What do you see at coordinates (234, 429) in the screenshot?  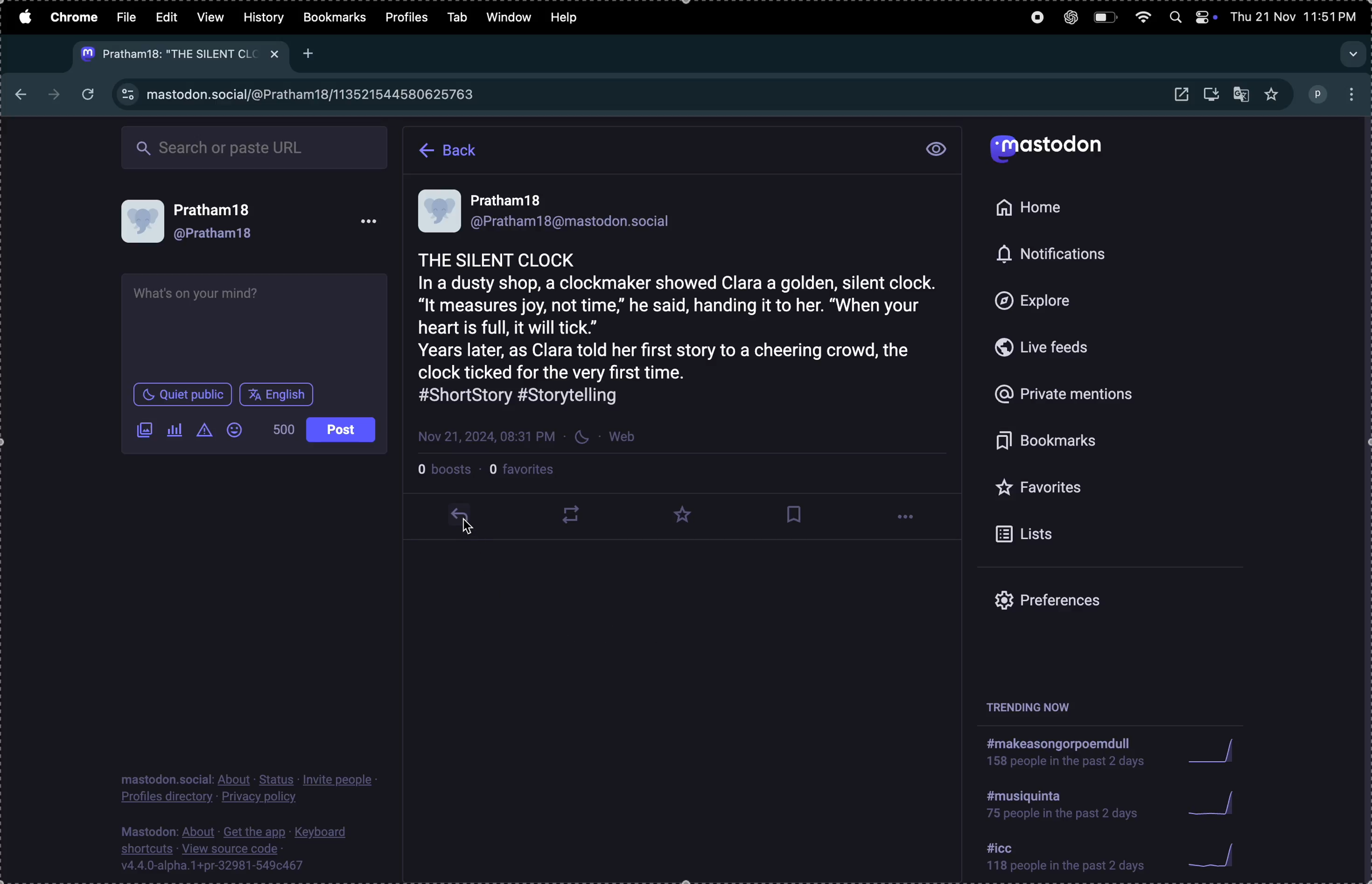 I see `add emoji` at bounding box center [234, 429].